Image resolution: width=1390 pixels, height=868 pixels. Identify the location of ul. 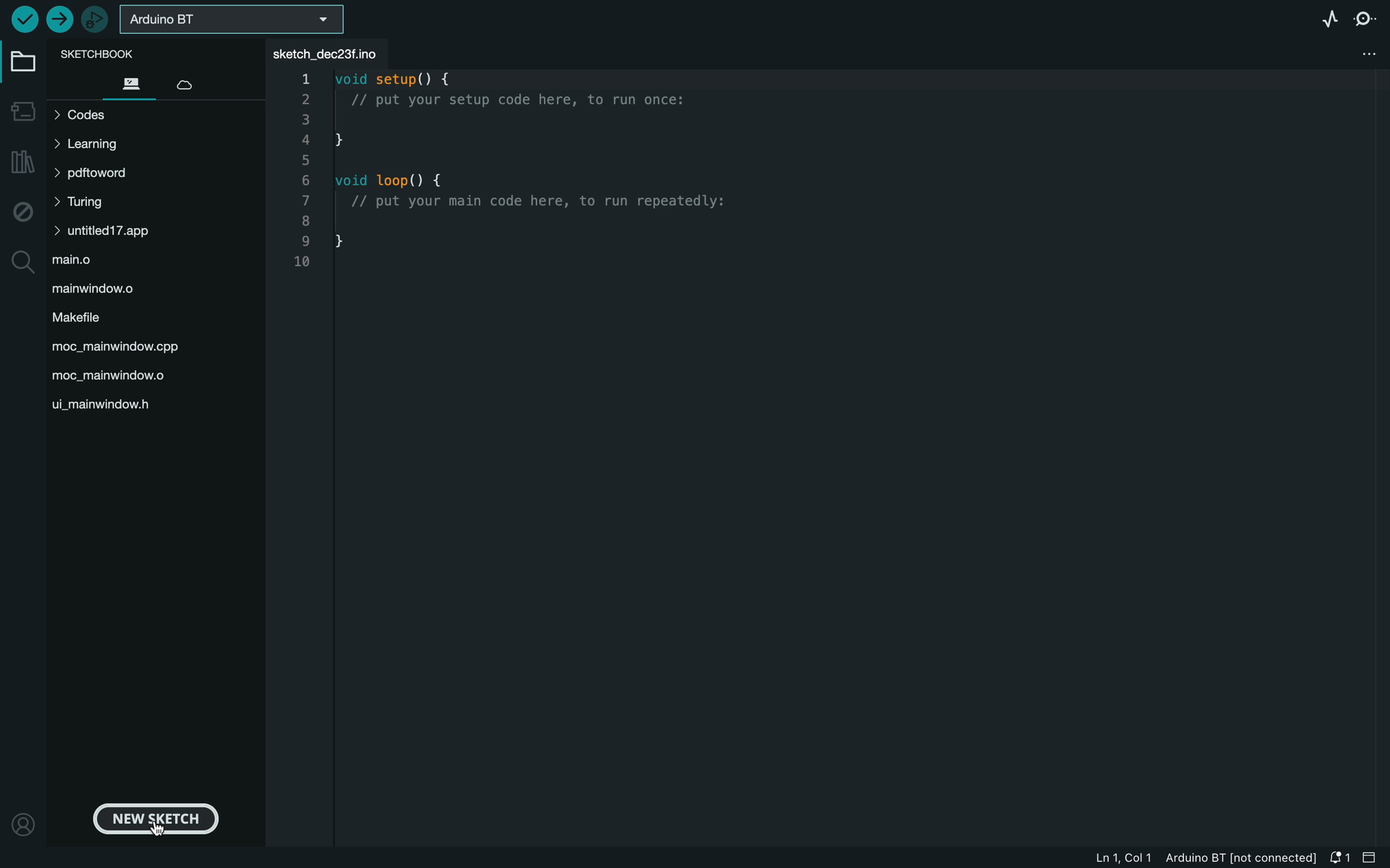
(108, 404).